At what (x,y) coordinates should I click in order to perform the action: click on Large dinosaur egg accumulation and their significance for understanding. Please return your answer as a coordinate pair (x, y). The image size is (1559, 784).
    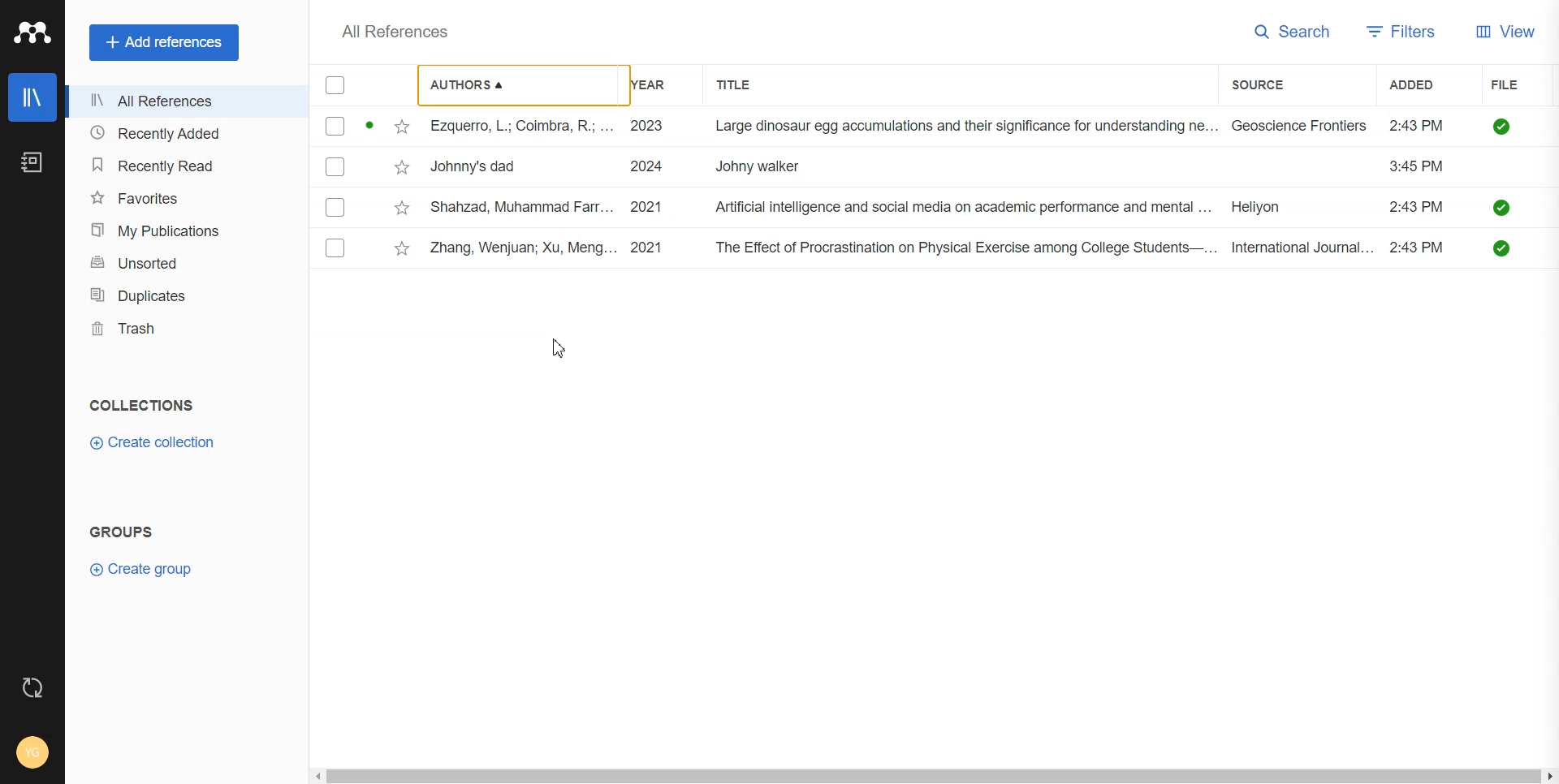
    Looking at the image, I should click on (965, 126).